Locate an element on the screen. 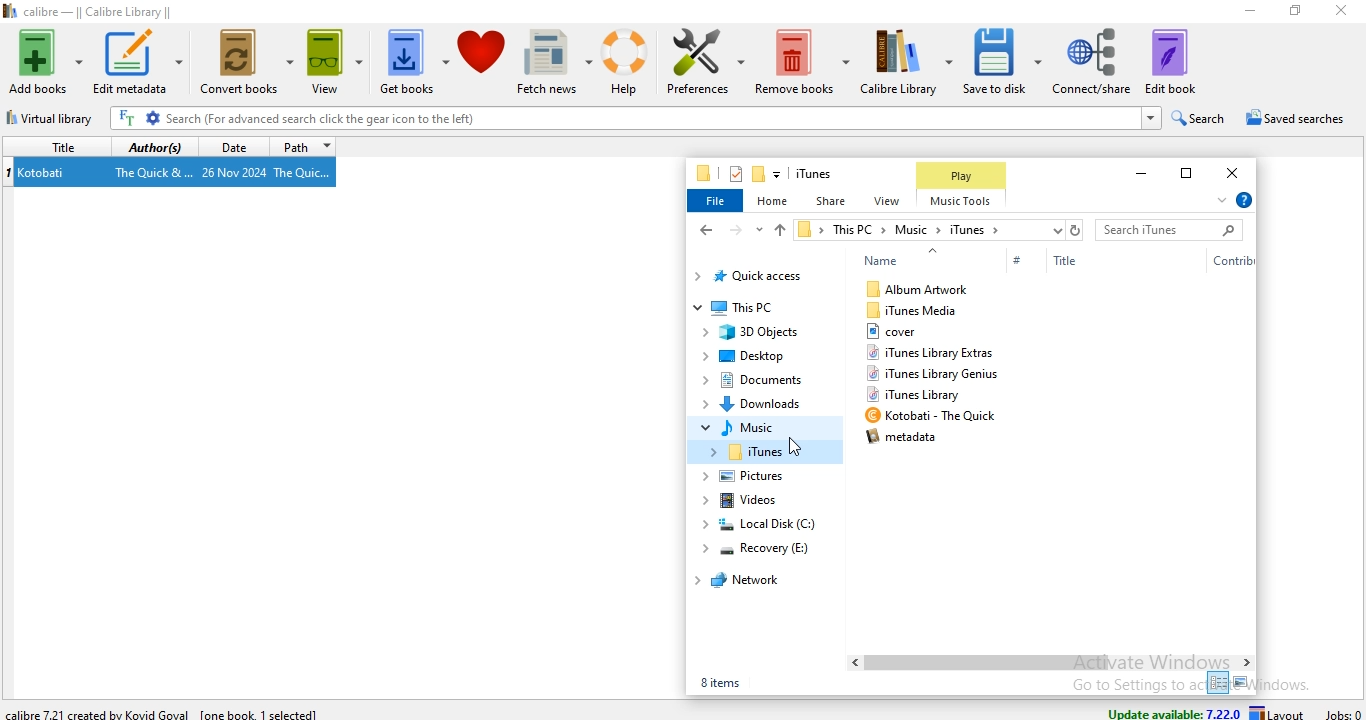 The height and width of the screenshot is (720, 1366). network is located at coordinates (748, 581).